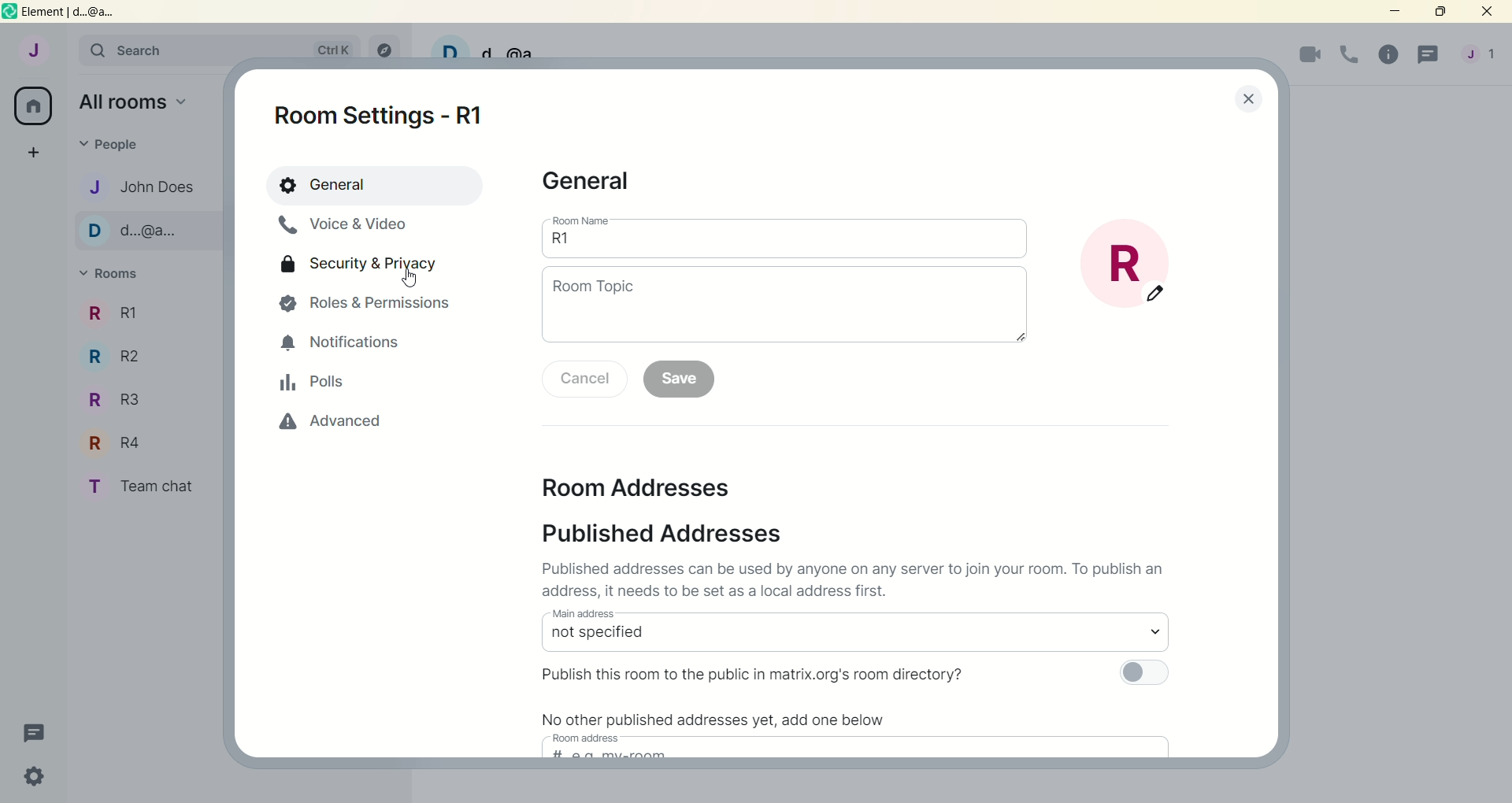  I want to click on J John Does, so click(143, 190).